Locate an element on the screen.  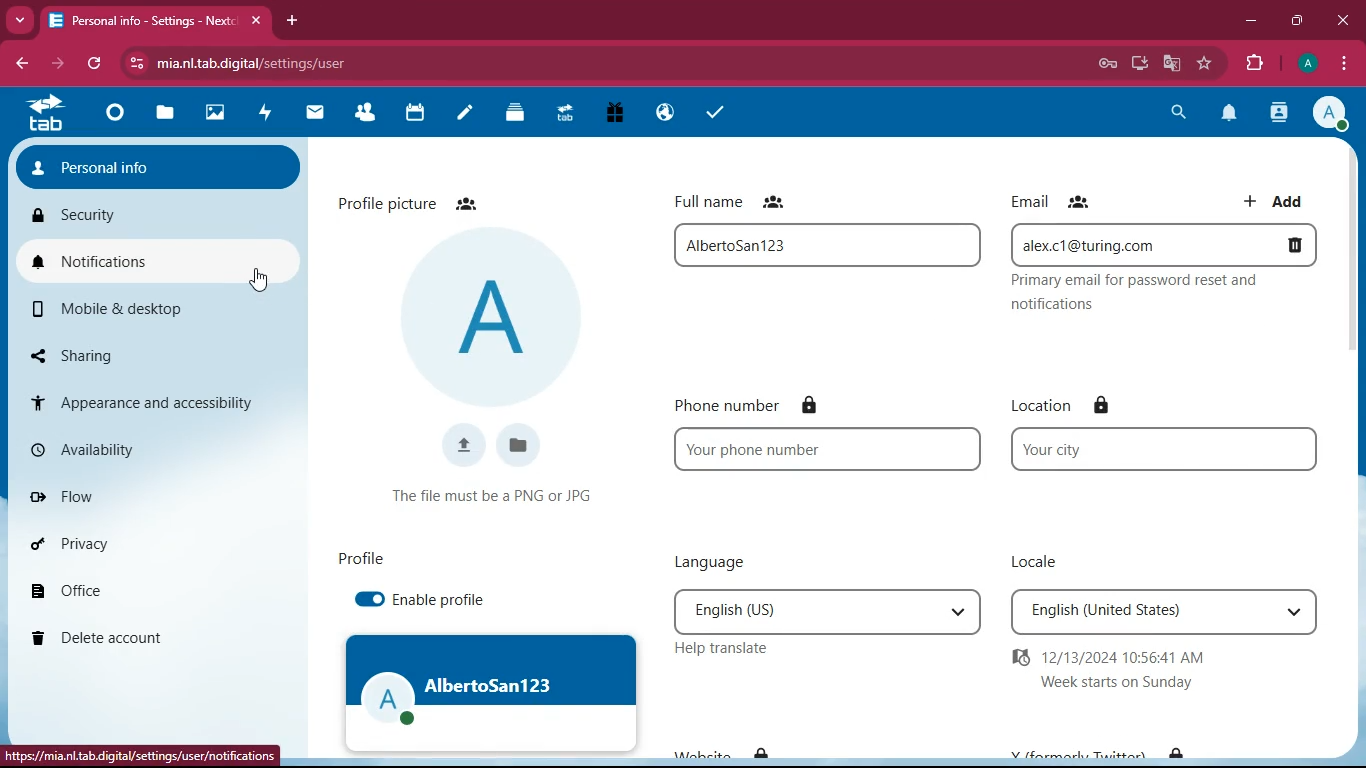
more is located at coordinates (20, 20).